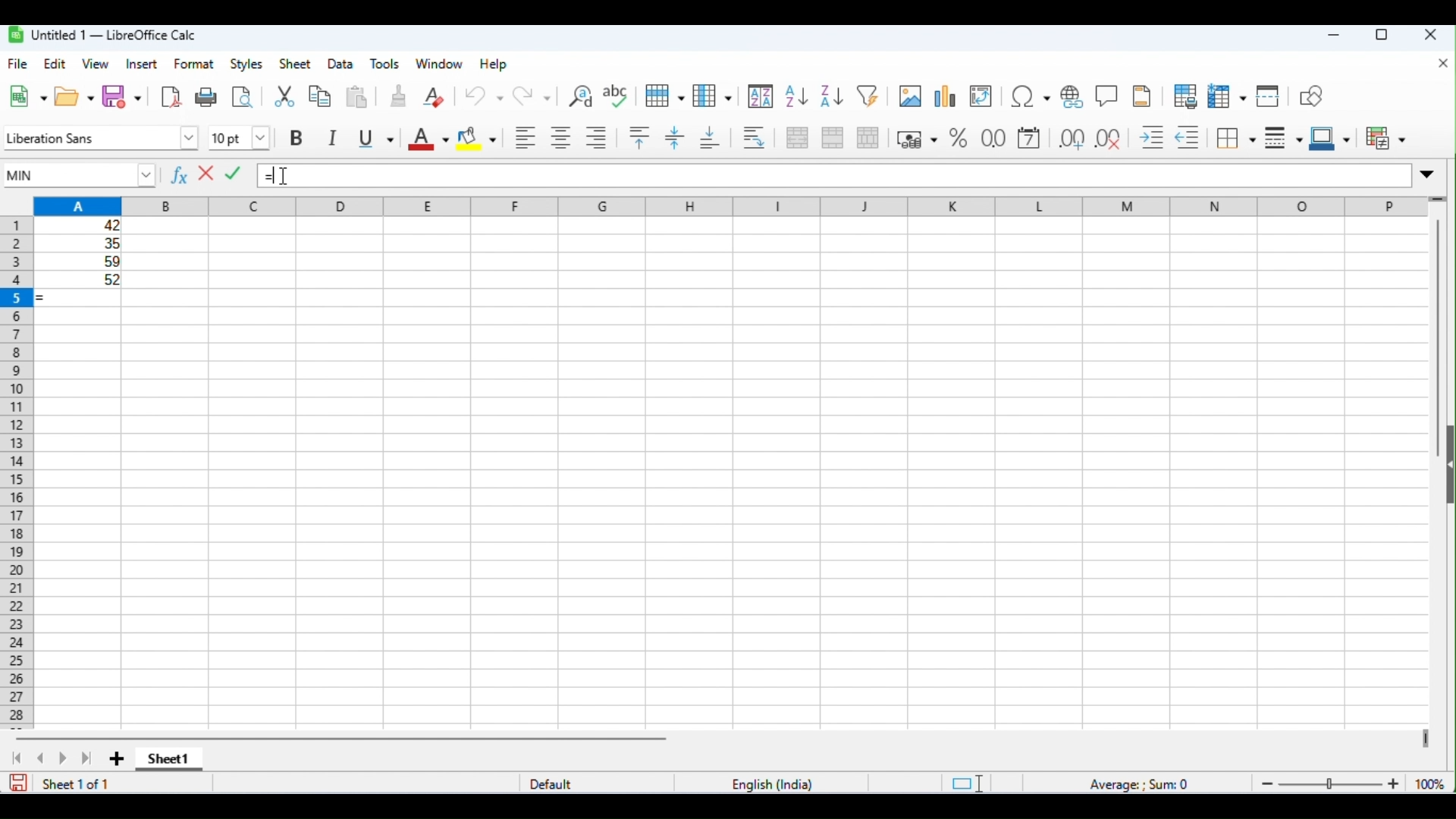 The width and height of the screenshot is (1456, 819). I want to click on untitle1-libreoffice calc, so click(102, 35).